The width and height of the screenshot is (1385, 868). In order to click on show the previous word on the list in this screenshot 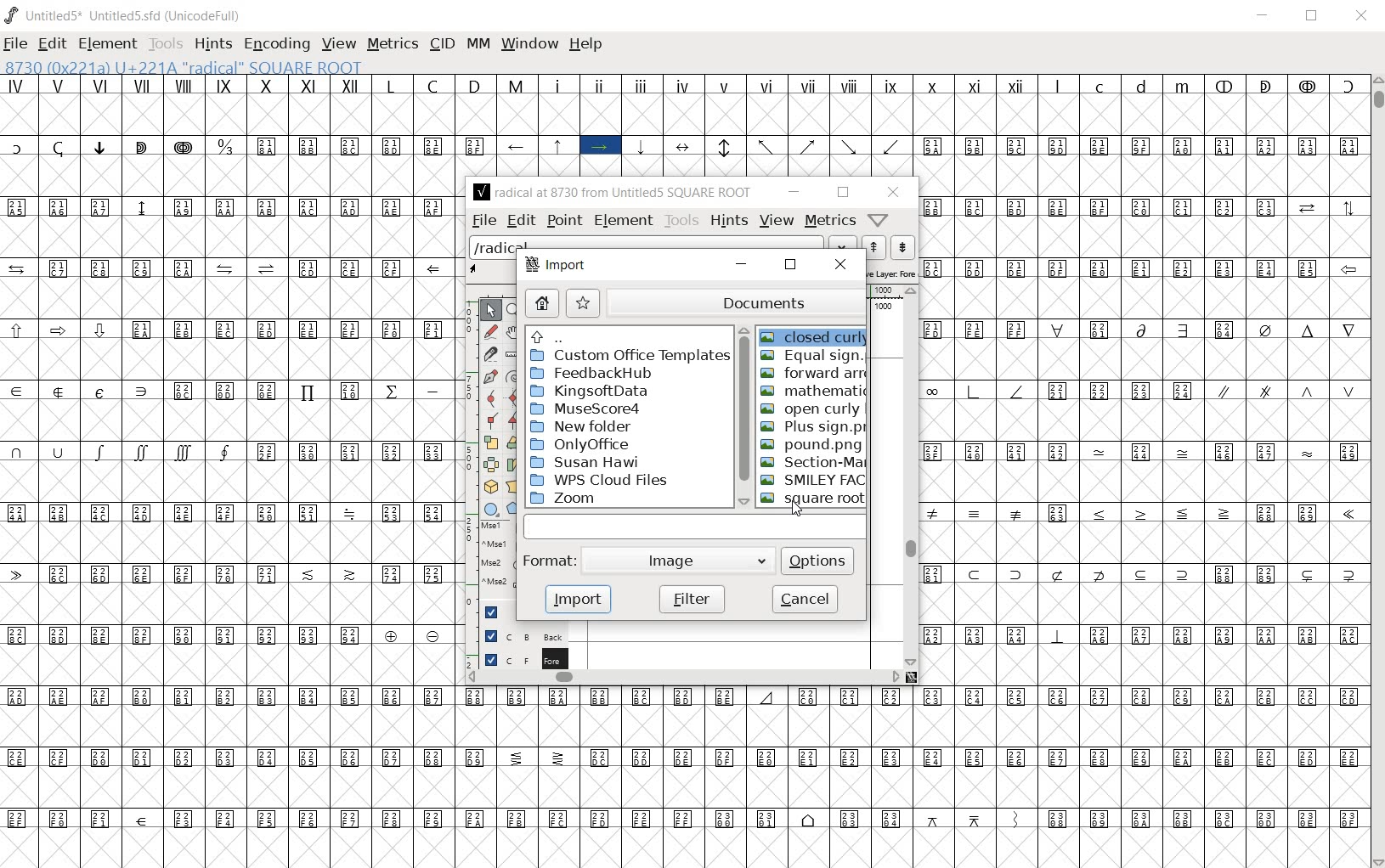, I will do `click(903, 246)`.